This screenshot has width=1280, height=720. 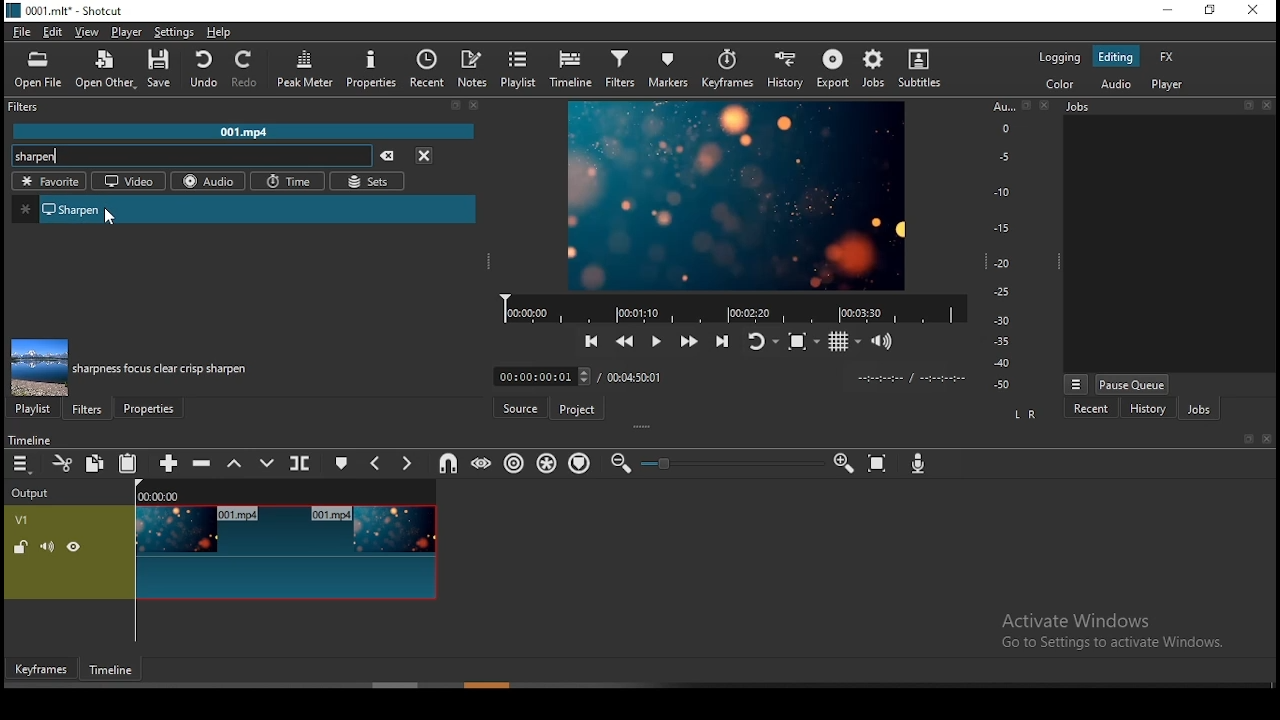 I want to click on copy, so click(x=94, y=463).